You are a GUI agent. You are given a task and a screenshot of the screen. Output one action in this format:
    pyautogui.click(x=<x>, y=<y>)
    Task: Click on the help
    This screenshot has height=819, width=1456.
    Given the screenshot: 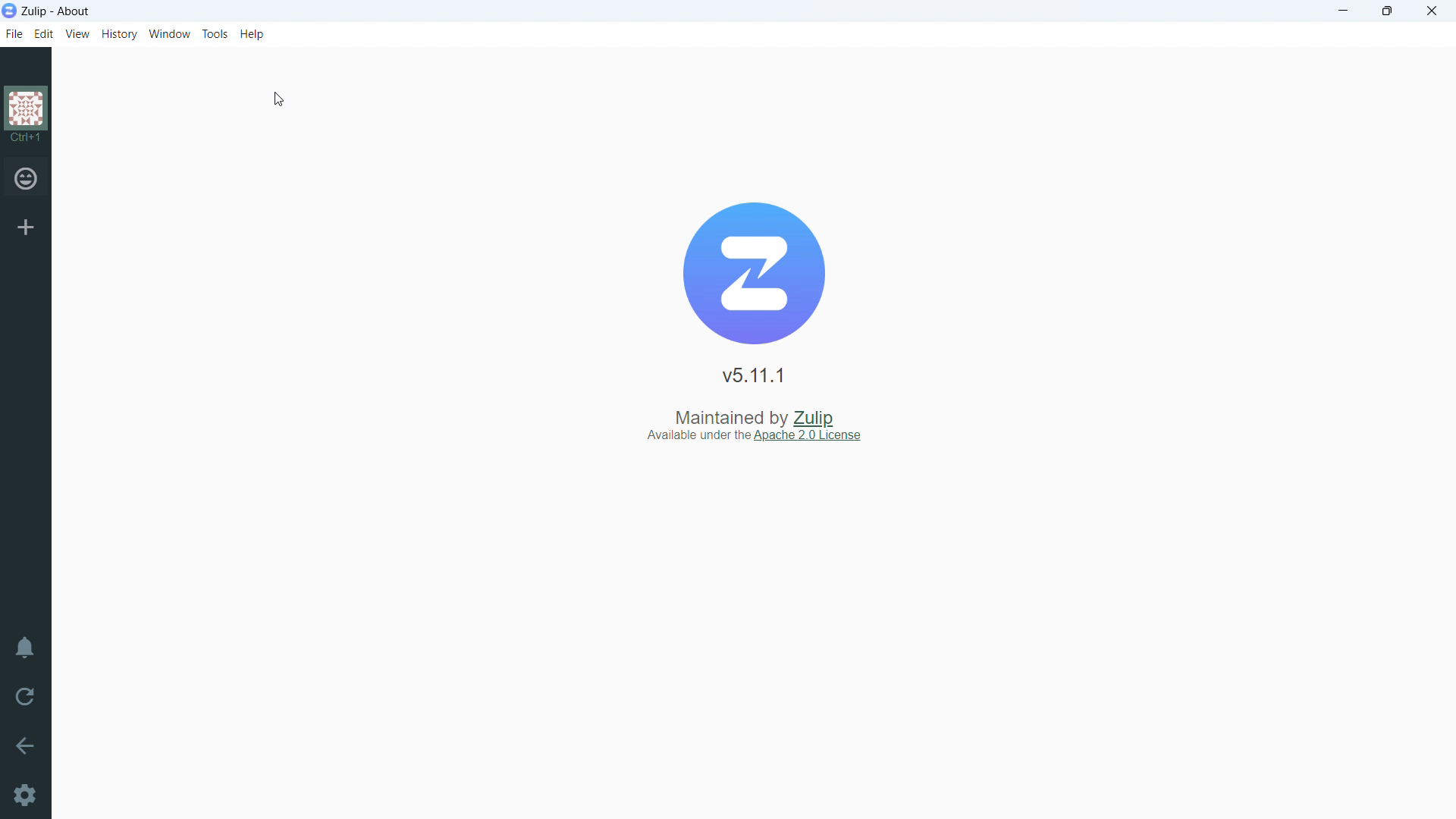 What is the action you would take?
    pyautogui.click(x=253, y=33)
    